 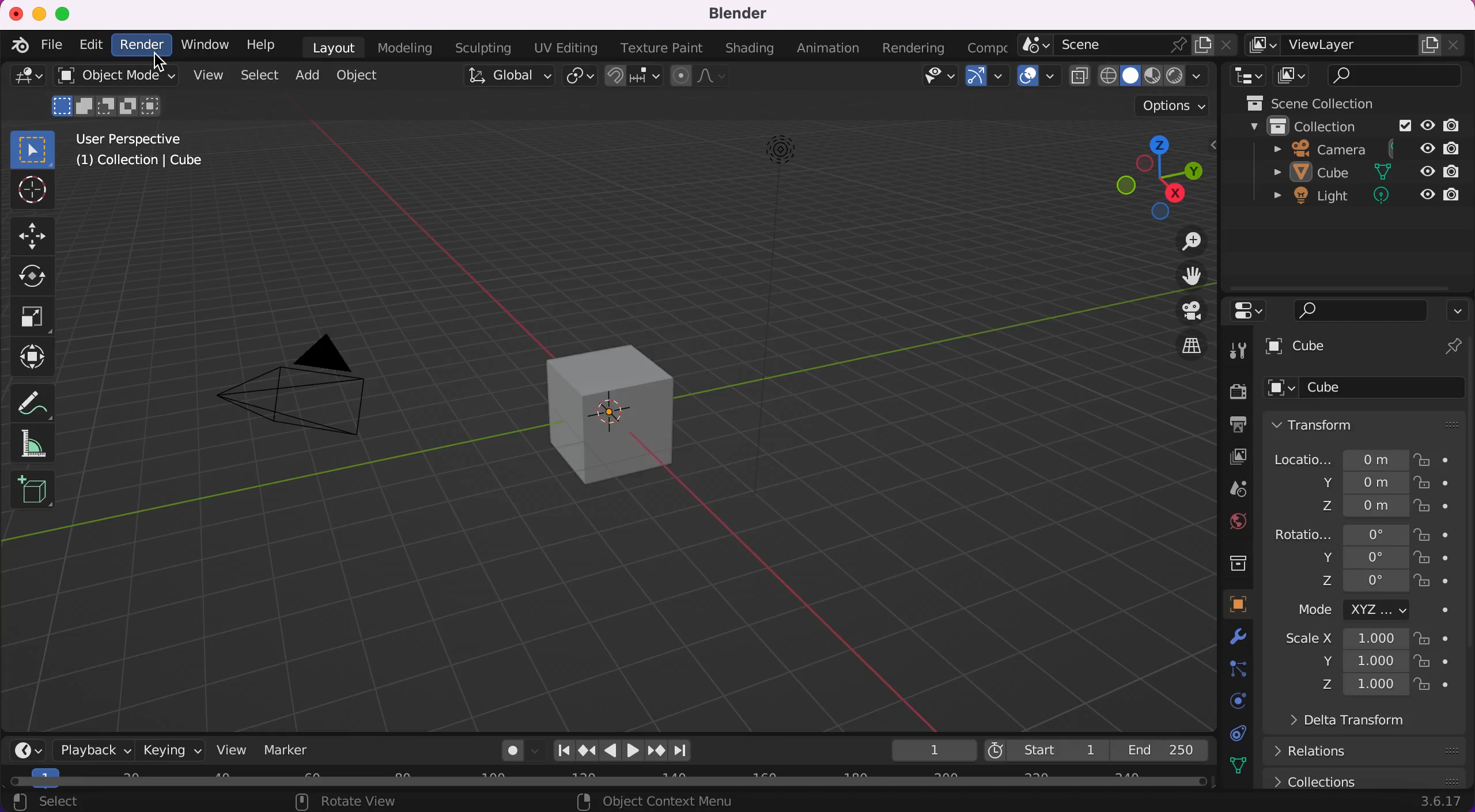 I want to click on rotate view, so click(x=356, y=802).